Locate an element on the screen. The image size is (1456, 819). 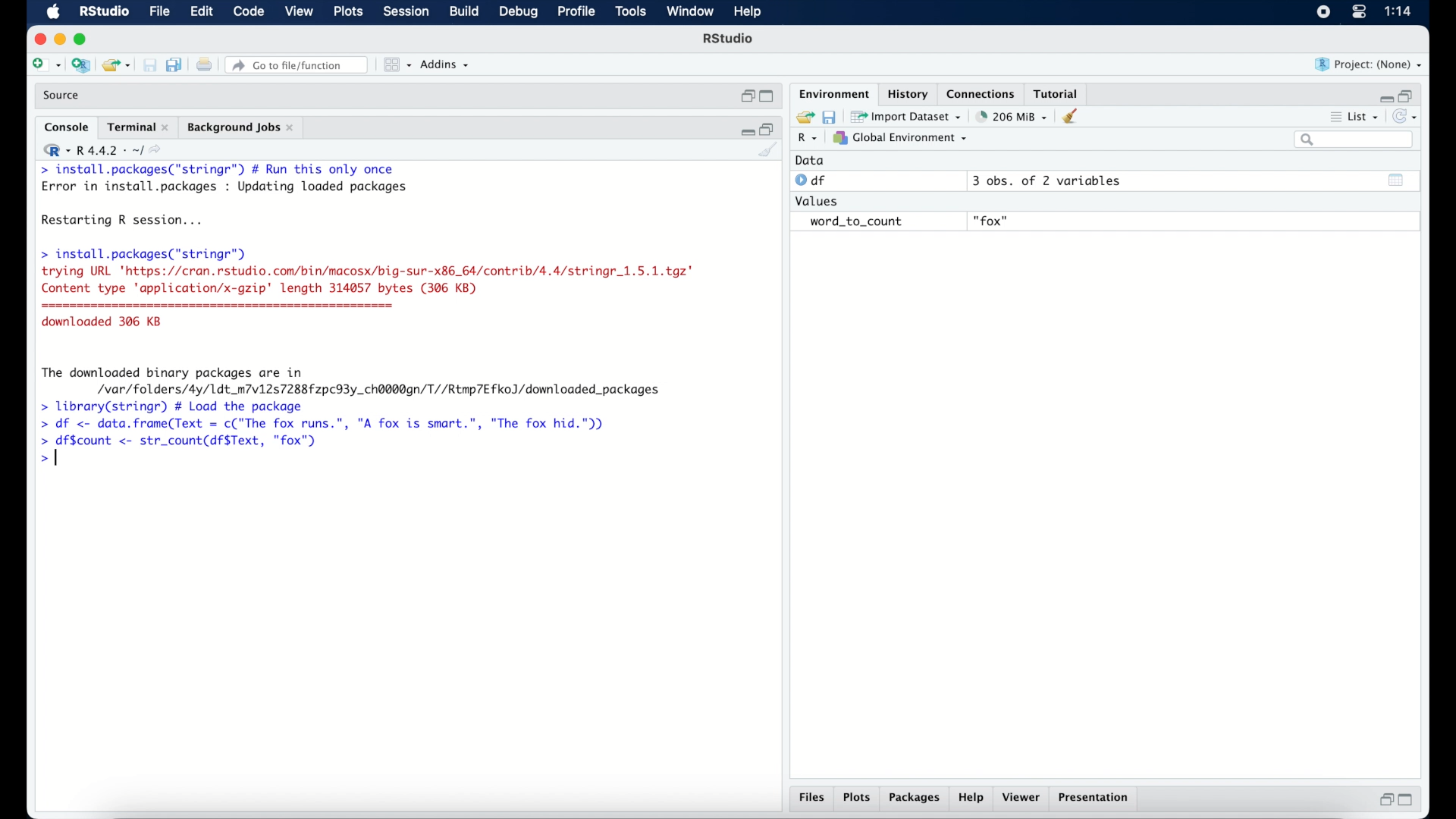
global environment is located at coordinates (900, 137).